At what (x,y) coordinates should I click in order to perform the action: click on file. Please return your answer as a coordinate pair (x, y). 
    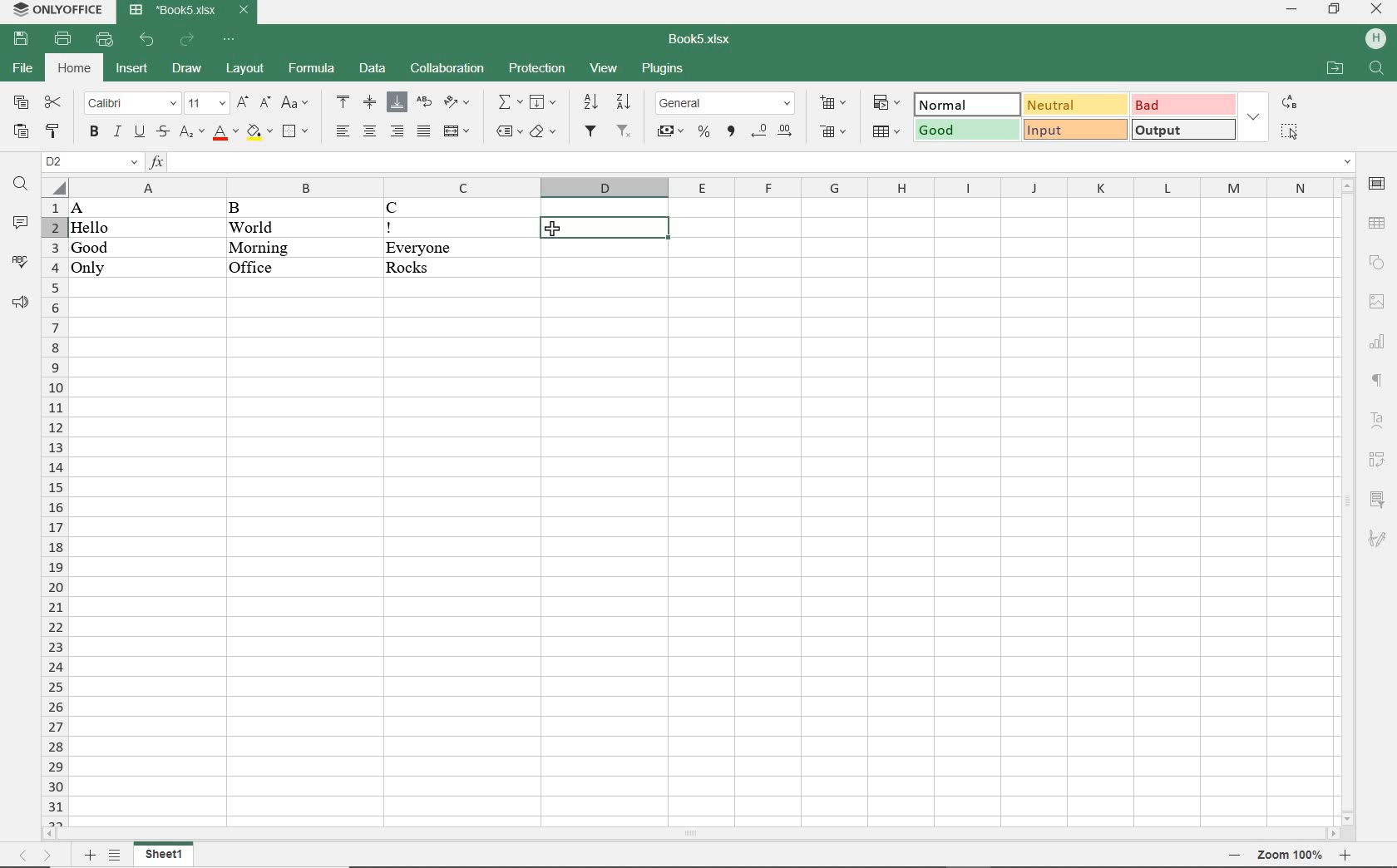
    Looking at the image, I should click on (23, 69).